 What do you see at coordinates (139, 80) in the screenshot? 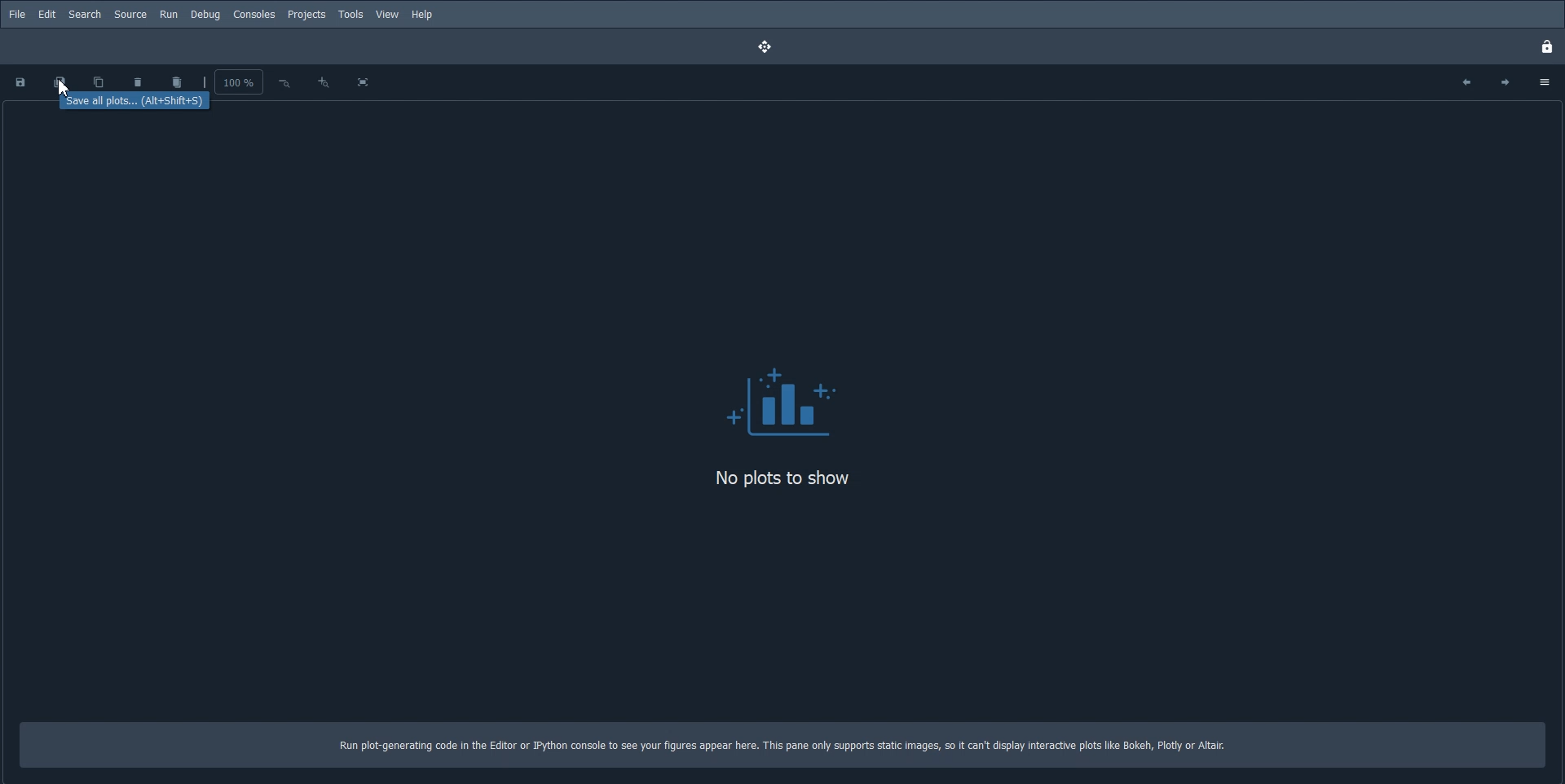
I see `Remove plot` at bounding box center [139, 80].